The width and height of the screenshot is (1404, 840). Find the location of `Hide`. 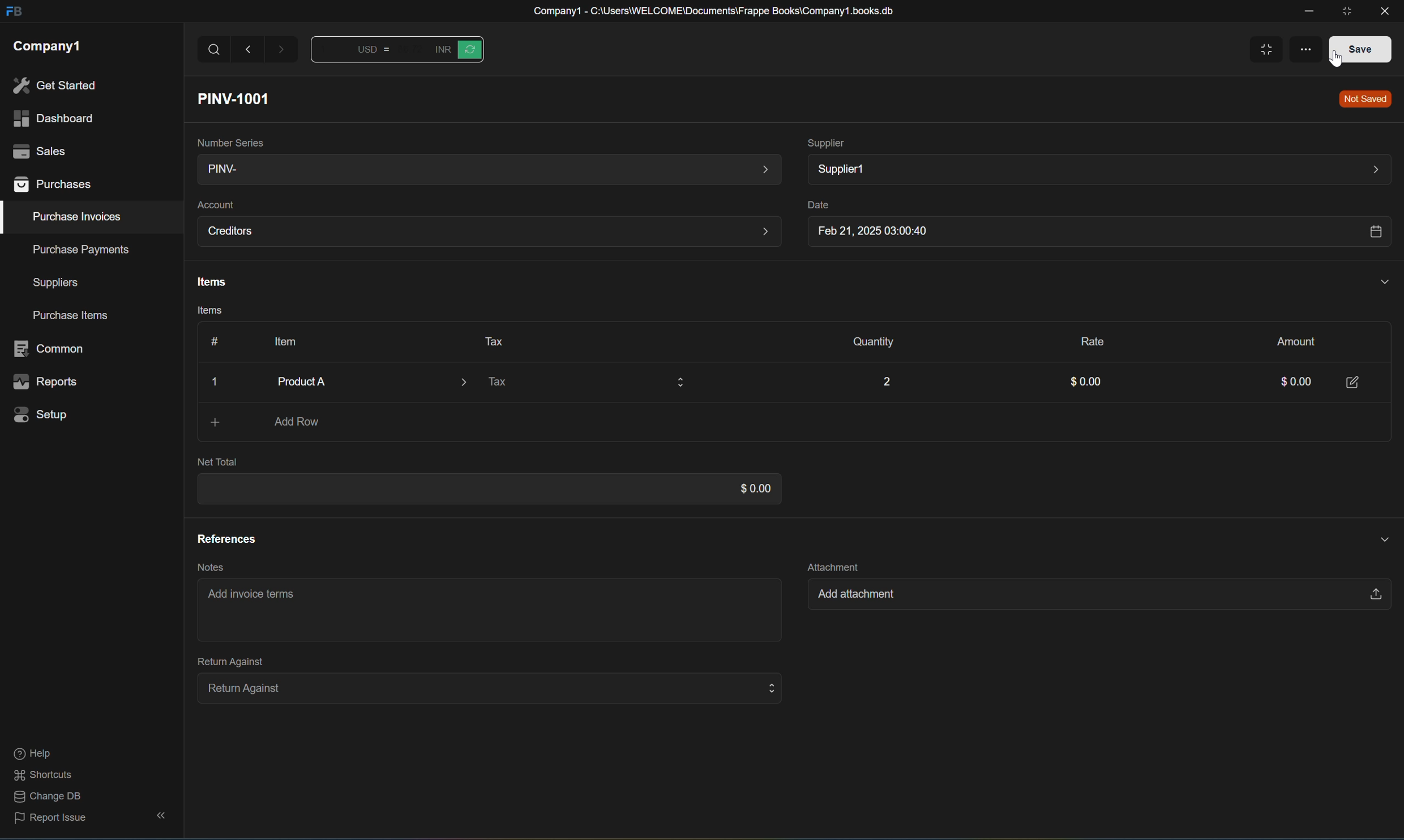

Hide is located at coordinates (1381, 281).